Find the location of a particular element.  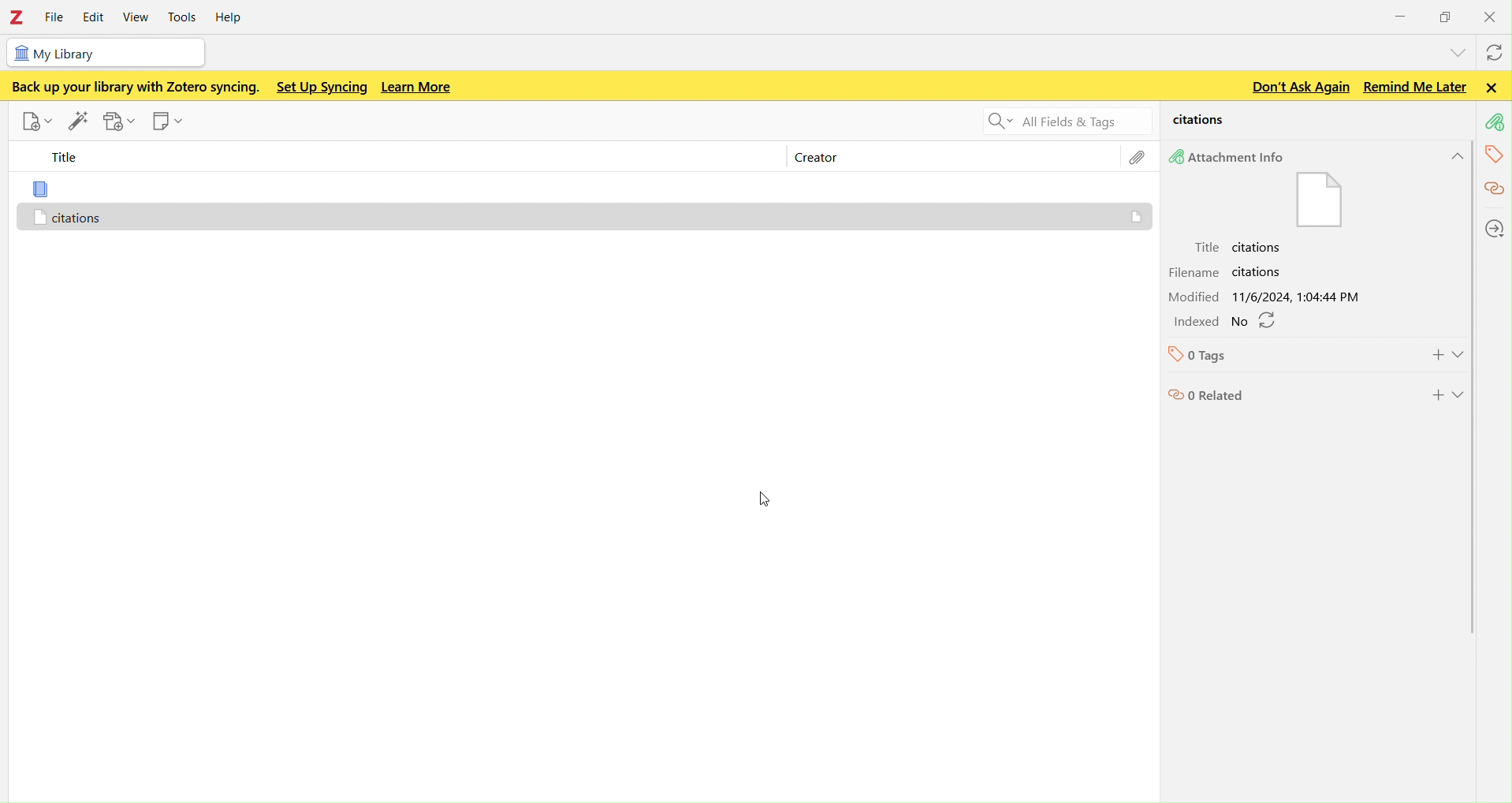

Attachment info is located at coordinates (1323, 200).